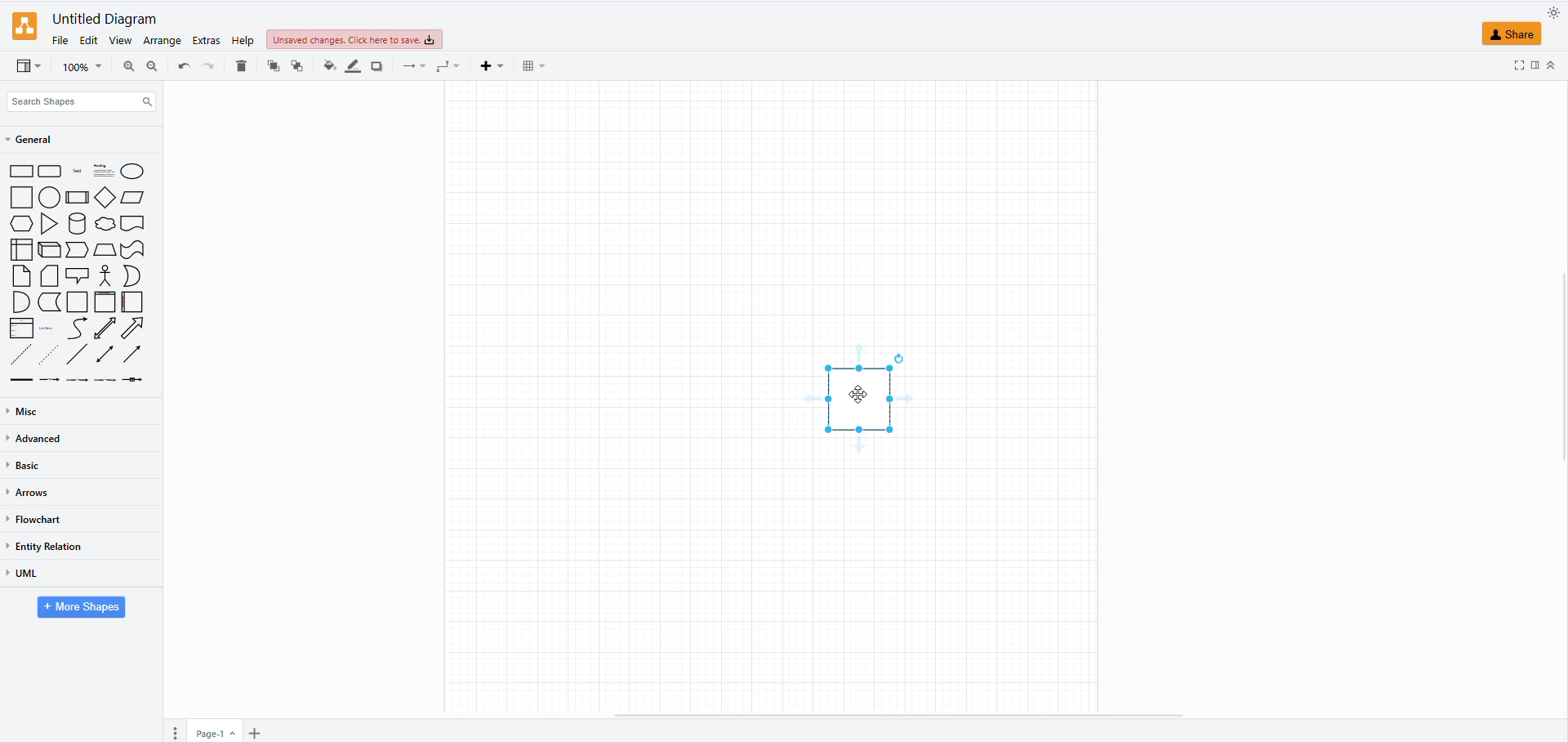  Describe the element at coordinates (105, 329) in the screenshot. I see `bidirectional arrow` at that location.